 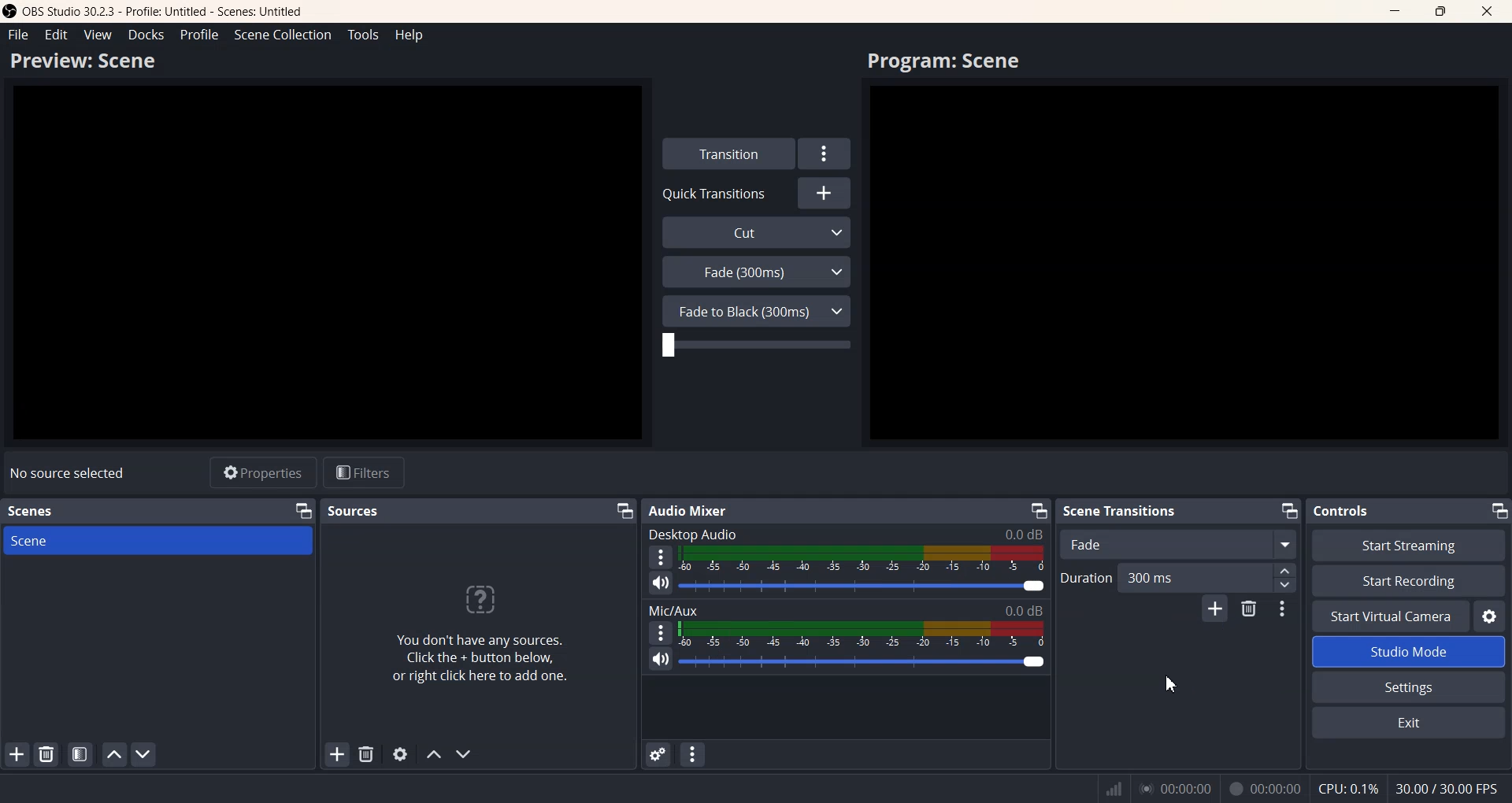 I want to click on More, so click(x=660, y=557).